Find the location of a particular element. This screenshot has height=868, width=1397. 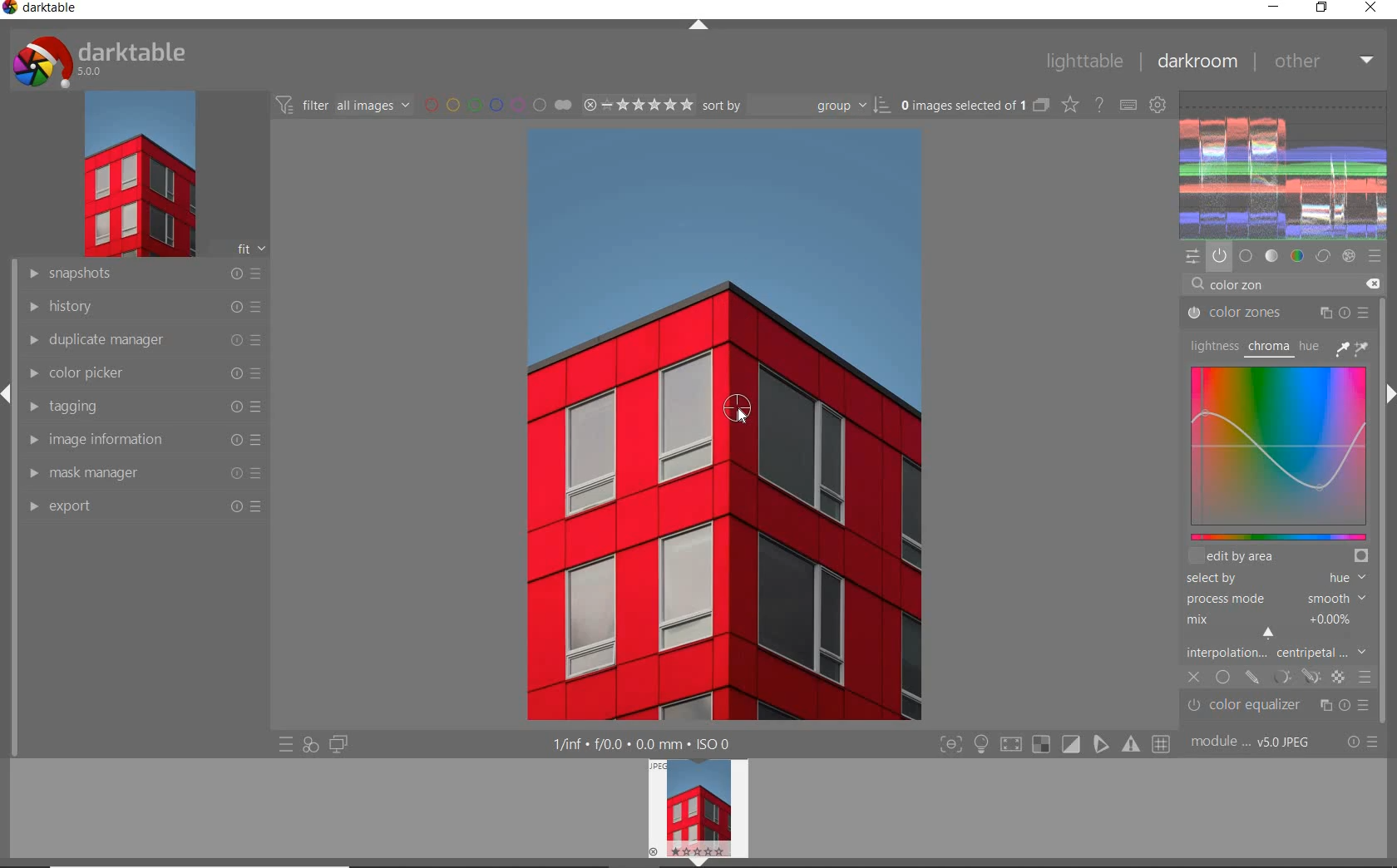

INPUT VALUE is located at coordinates (1229, 287).